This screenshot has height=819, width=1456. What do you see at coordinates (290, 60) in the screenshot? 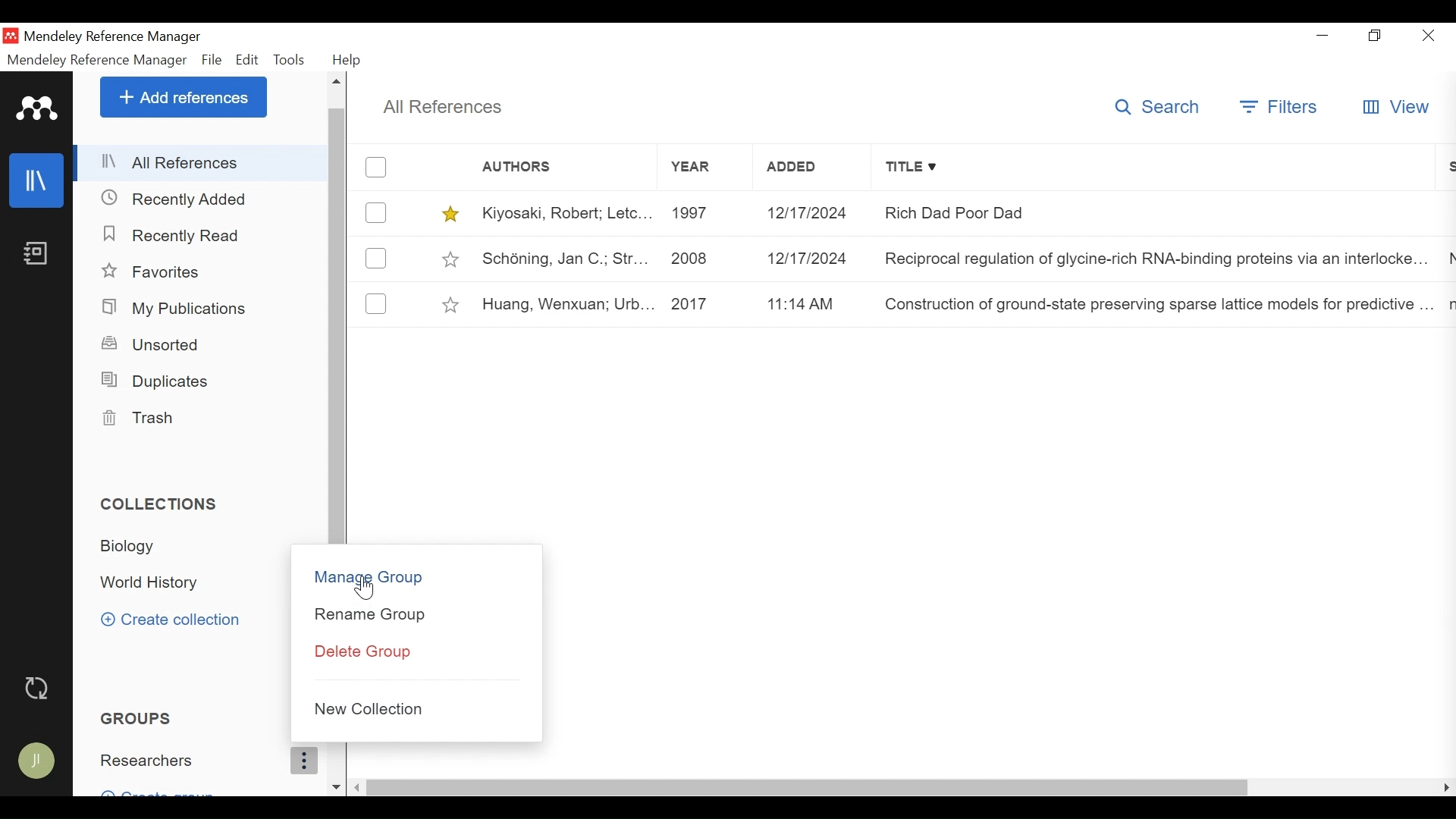
I see `Tools` at bounding box center [290, 60].